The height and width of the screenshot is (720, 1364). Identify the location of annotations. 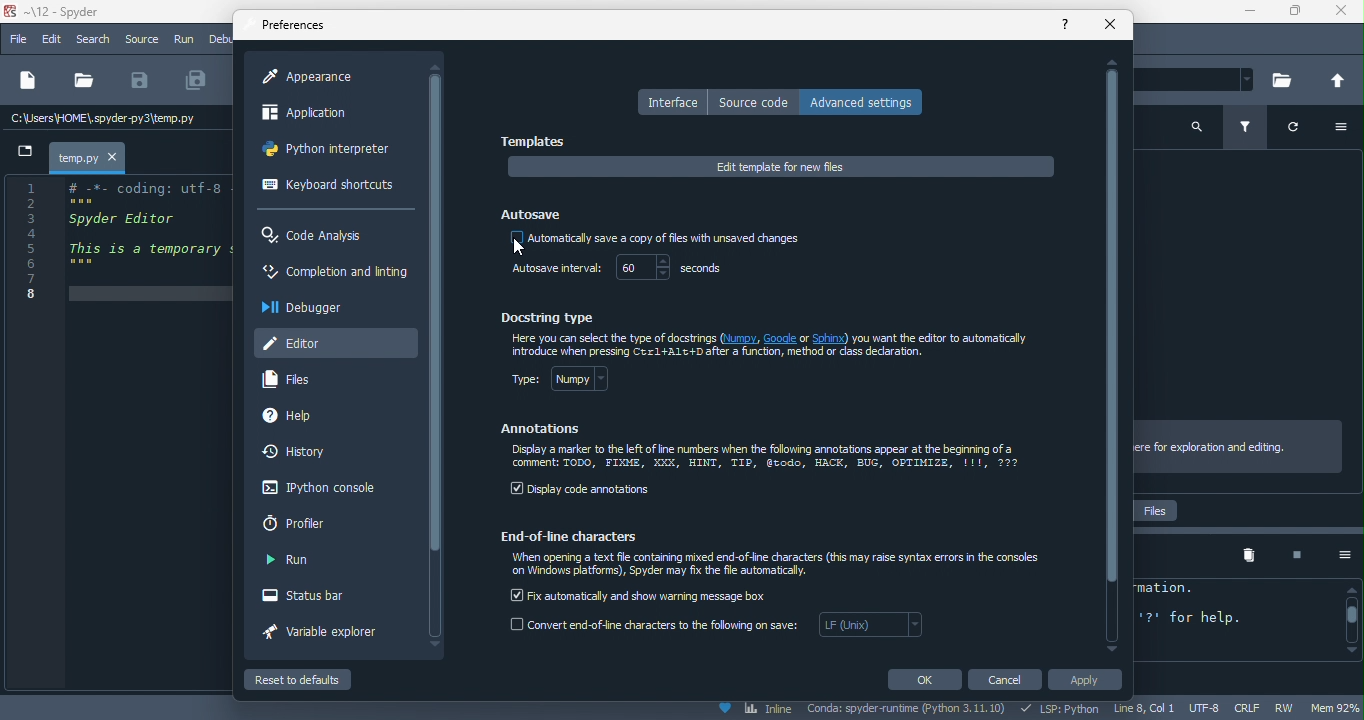
(543, 429).